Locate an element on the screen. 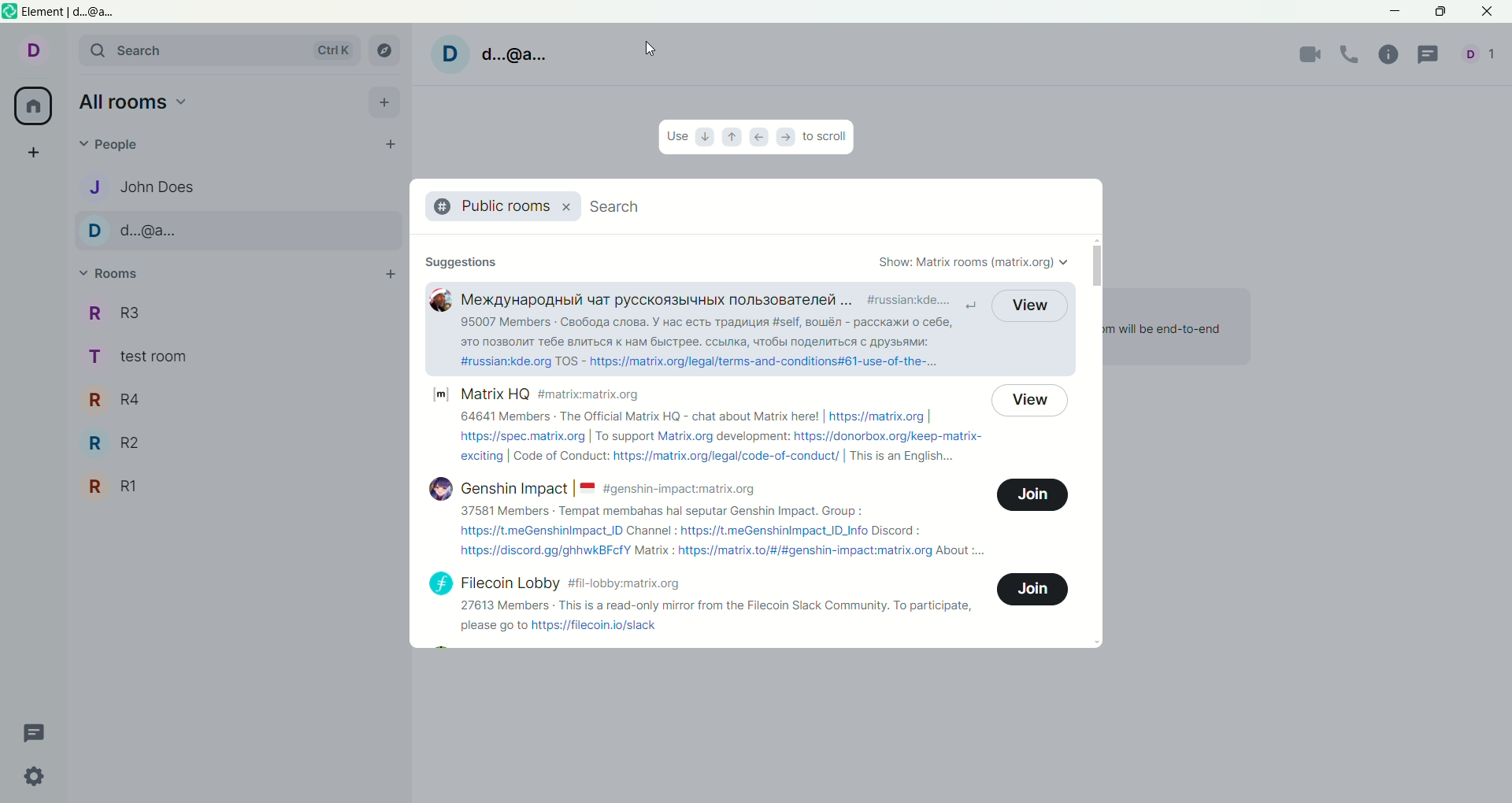 The height and width of the screenshot is (803, 1512). https://filecoin.io/slack is located at coordinates (595, 625).